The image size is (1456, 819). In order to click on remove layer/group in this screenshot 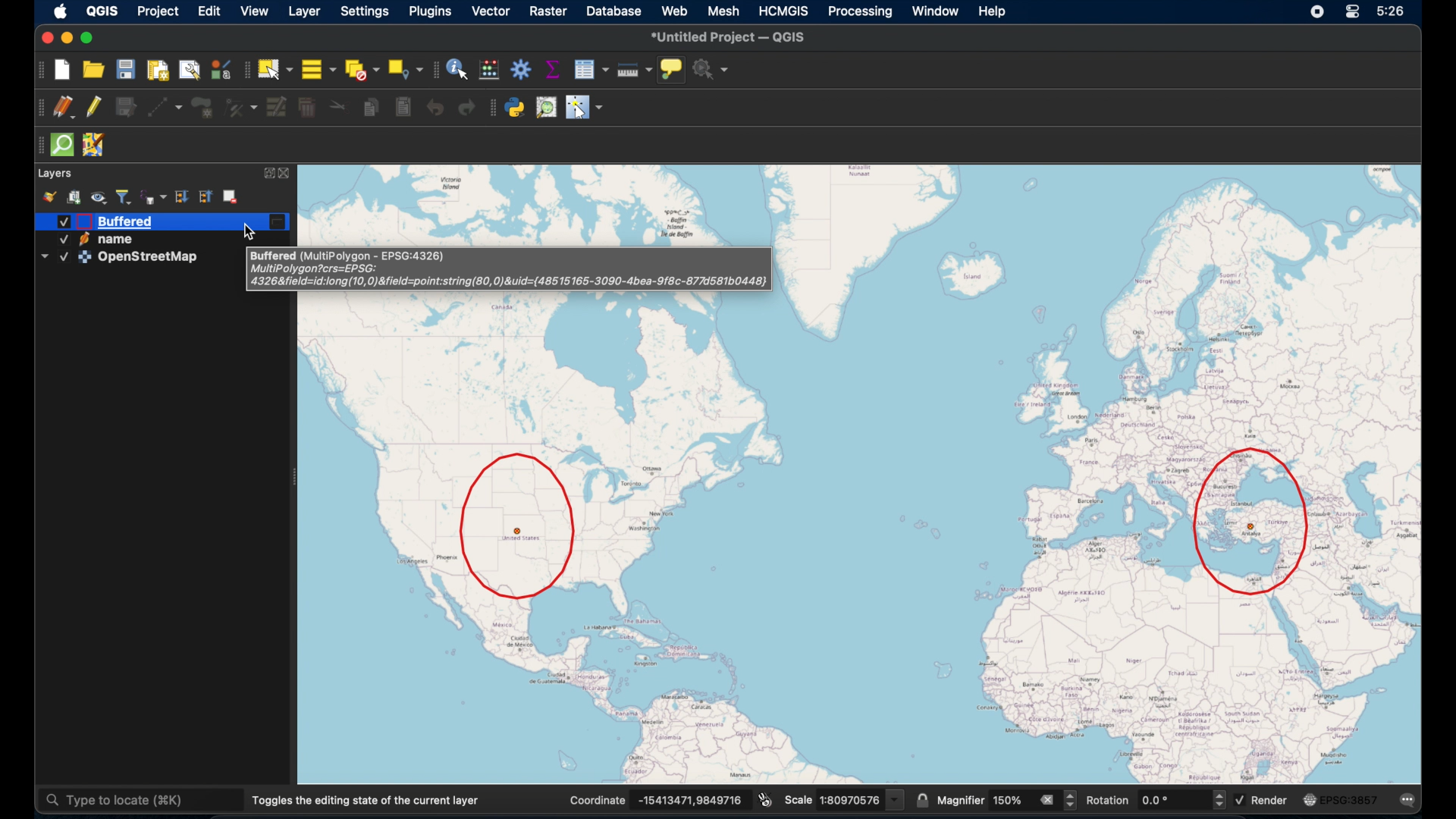, I will do `click(233, 195)`.